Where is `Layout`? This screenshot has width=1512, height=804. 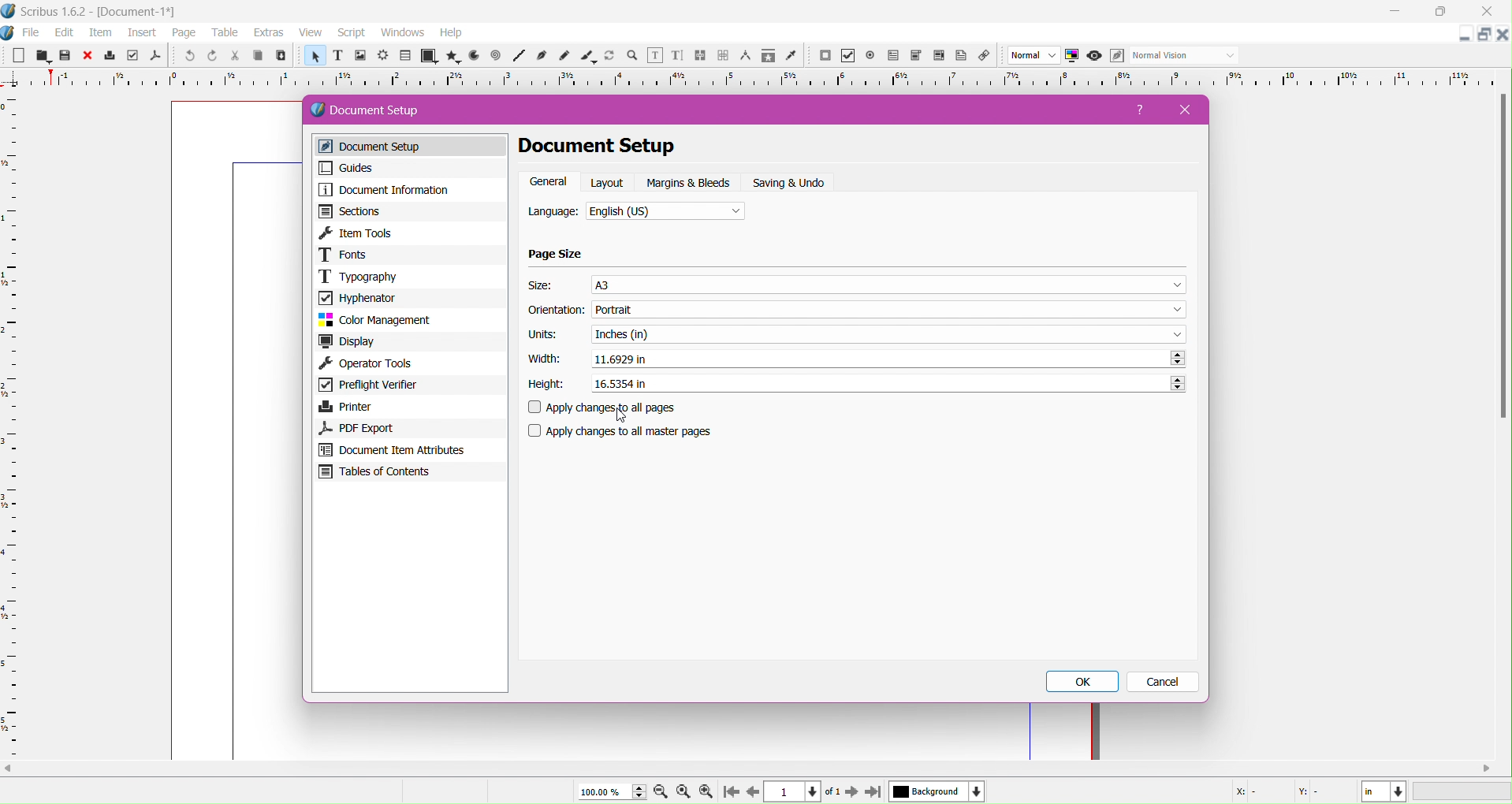
Layout is located at coordinates (609, 182).